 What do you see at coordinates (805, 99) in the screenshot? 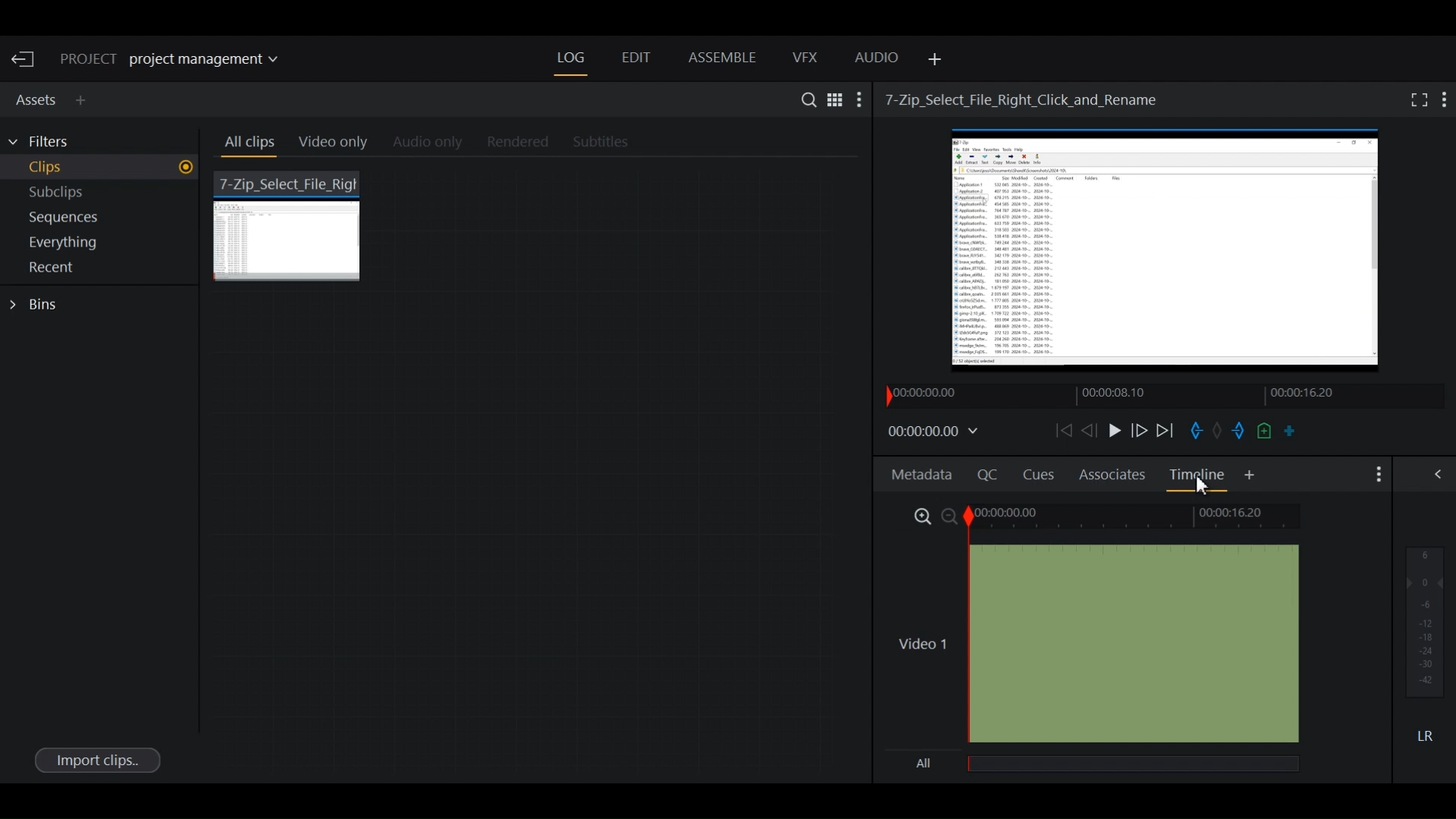
I see `Search in assets and Bins` at bounding box center [805, 99].